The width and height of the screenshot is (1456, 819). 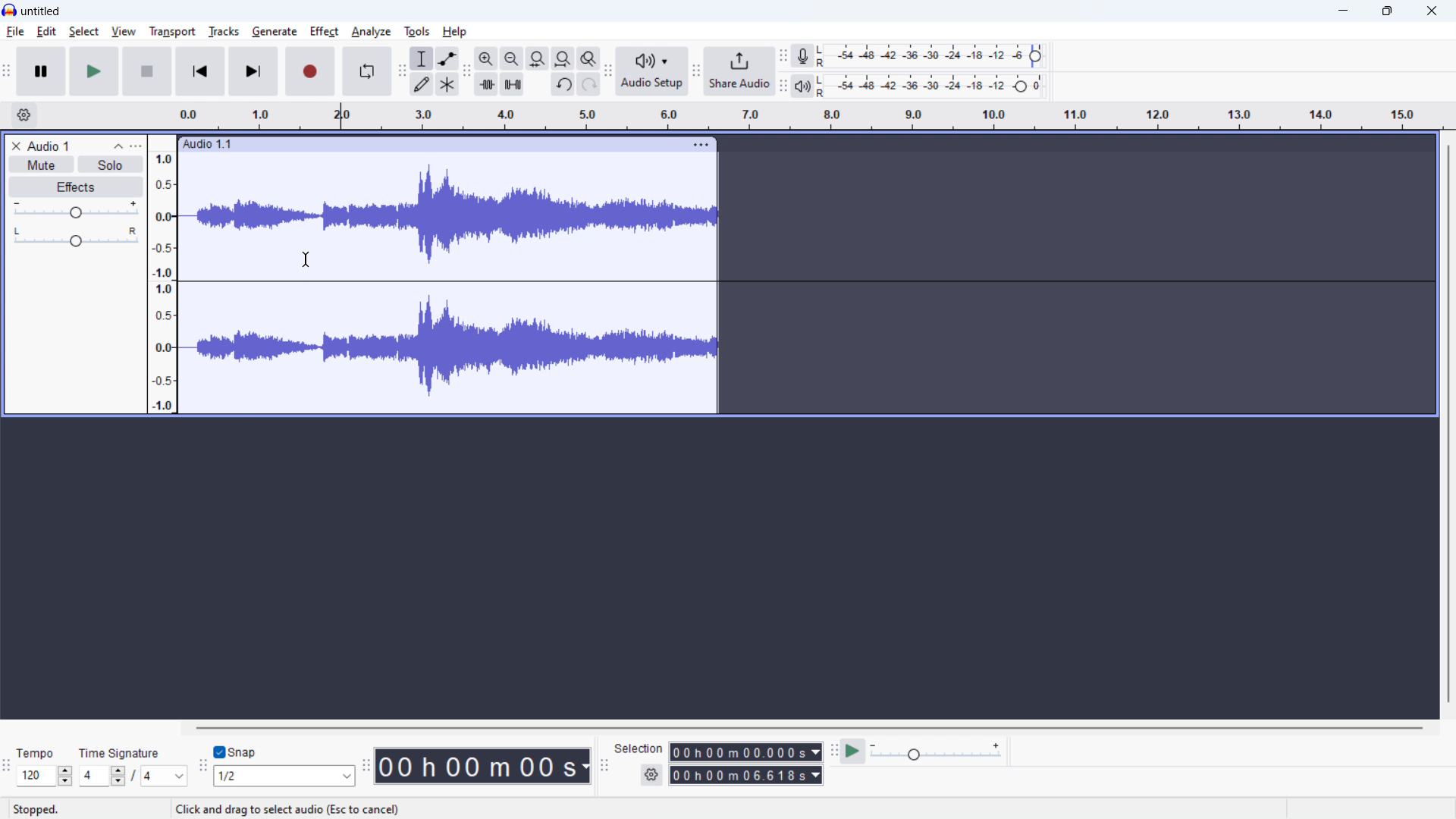 I want to click on stop, so click(x=147, y=71).